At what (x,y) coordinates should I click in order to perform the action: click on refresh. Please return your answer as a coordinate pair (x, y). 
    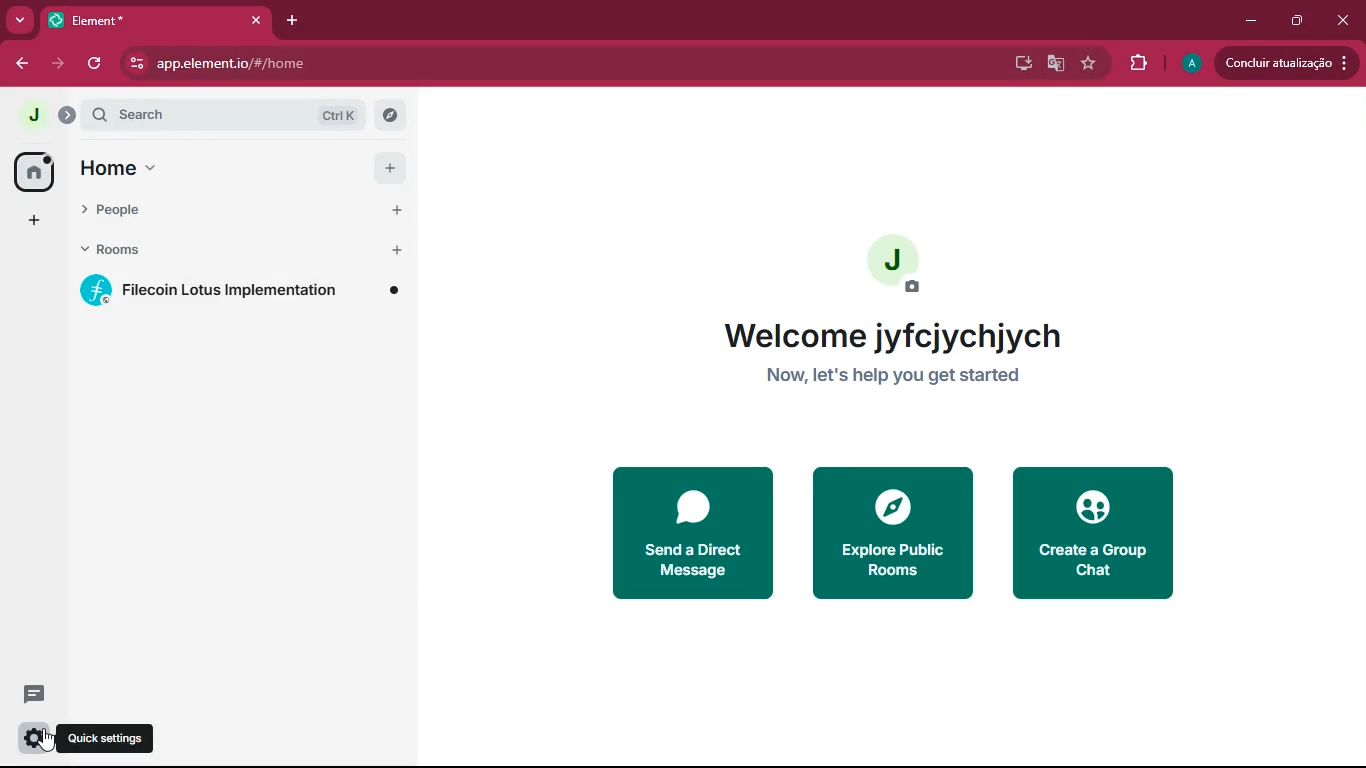
    Looking at the image, I should click on (93, 64).